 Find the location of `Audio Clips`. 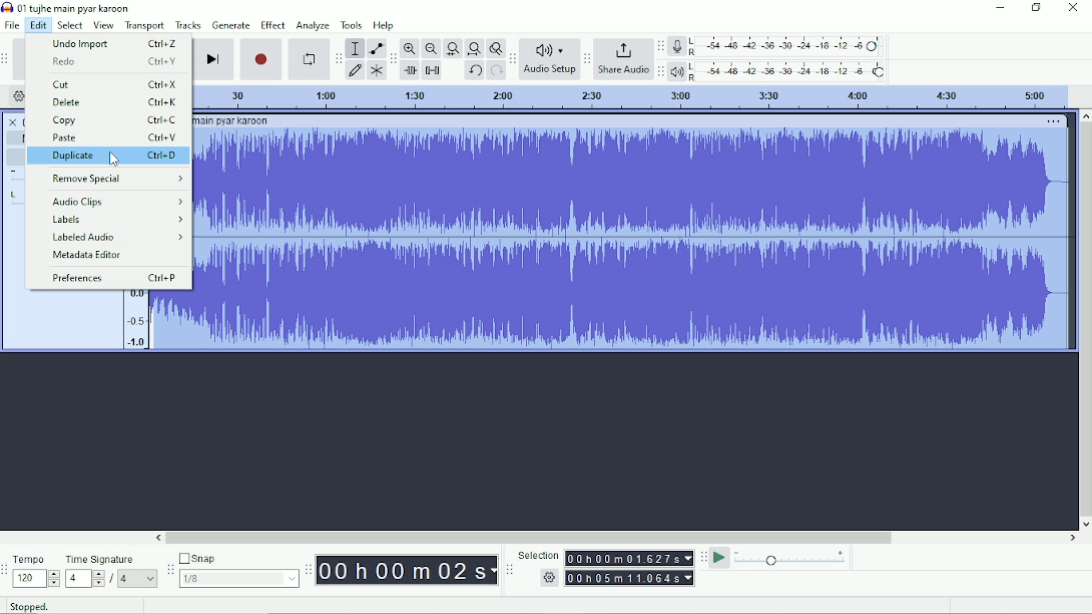

Audio Clips is located at coordinates (116, 202).